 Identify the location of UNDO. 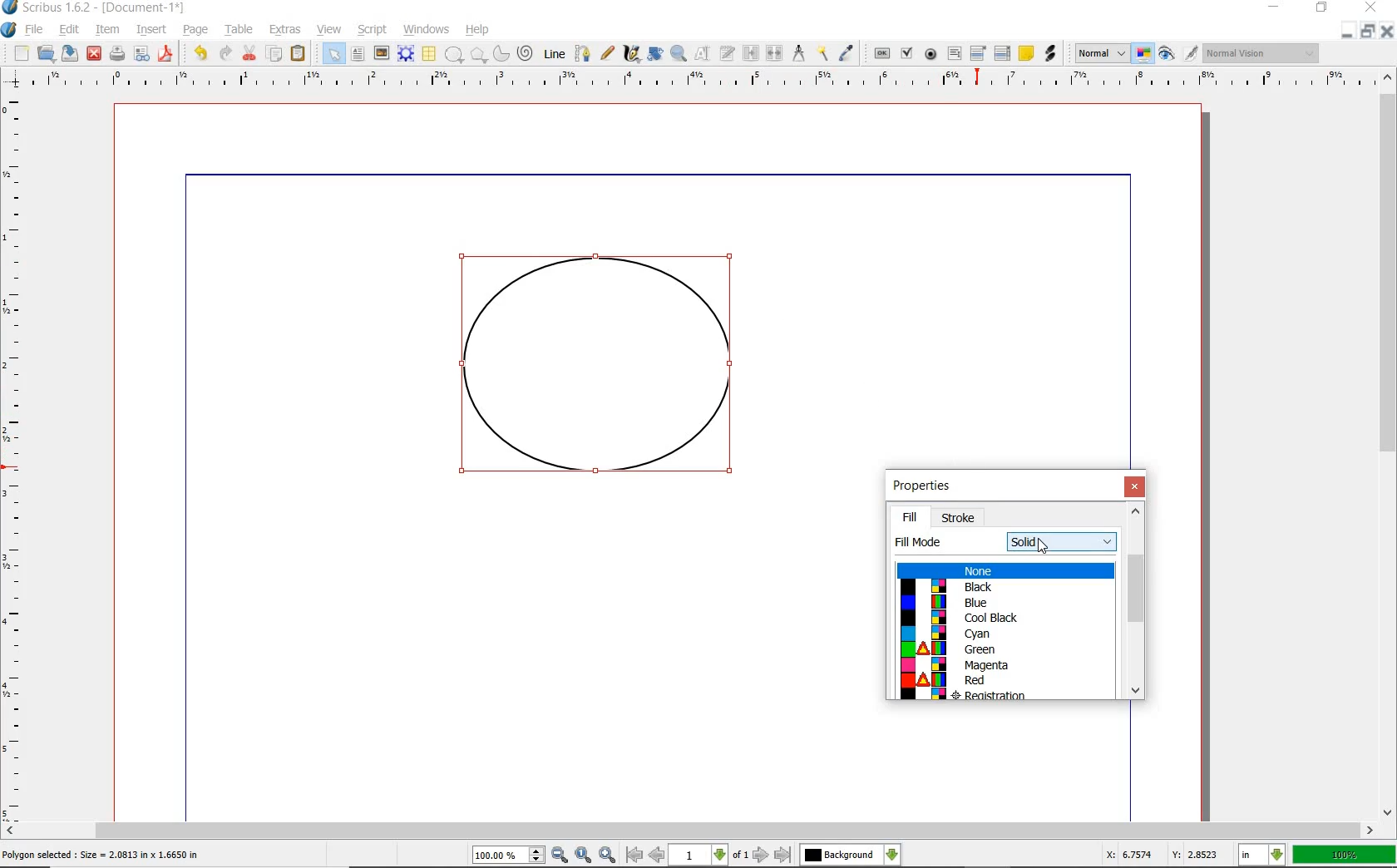
(200, 53).